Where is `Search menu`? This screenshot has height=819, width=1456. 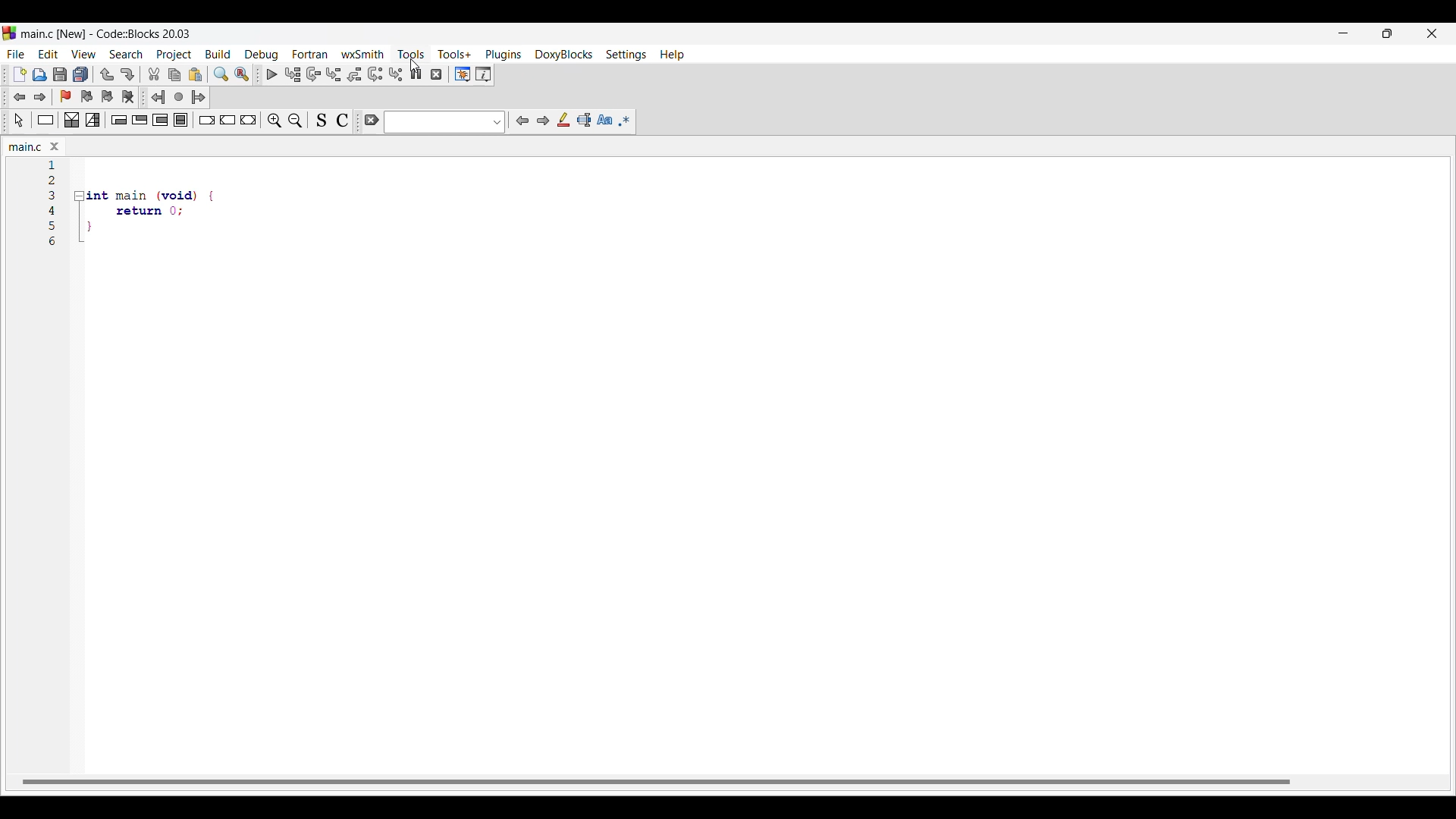 Search menu is located at coordinates (126, 55).